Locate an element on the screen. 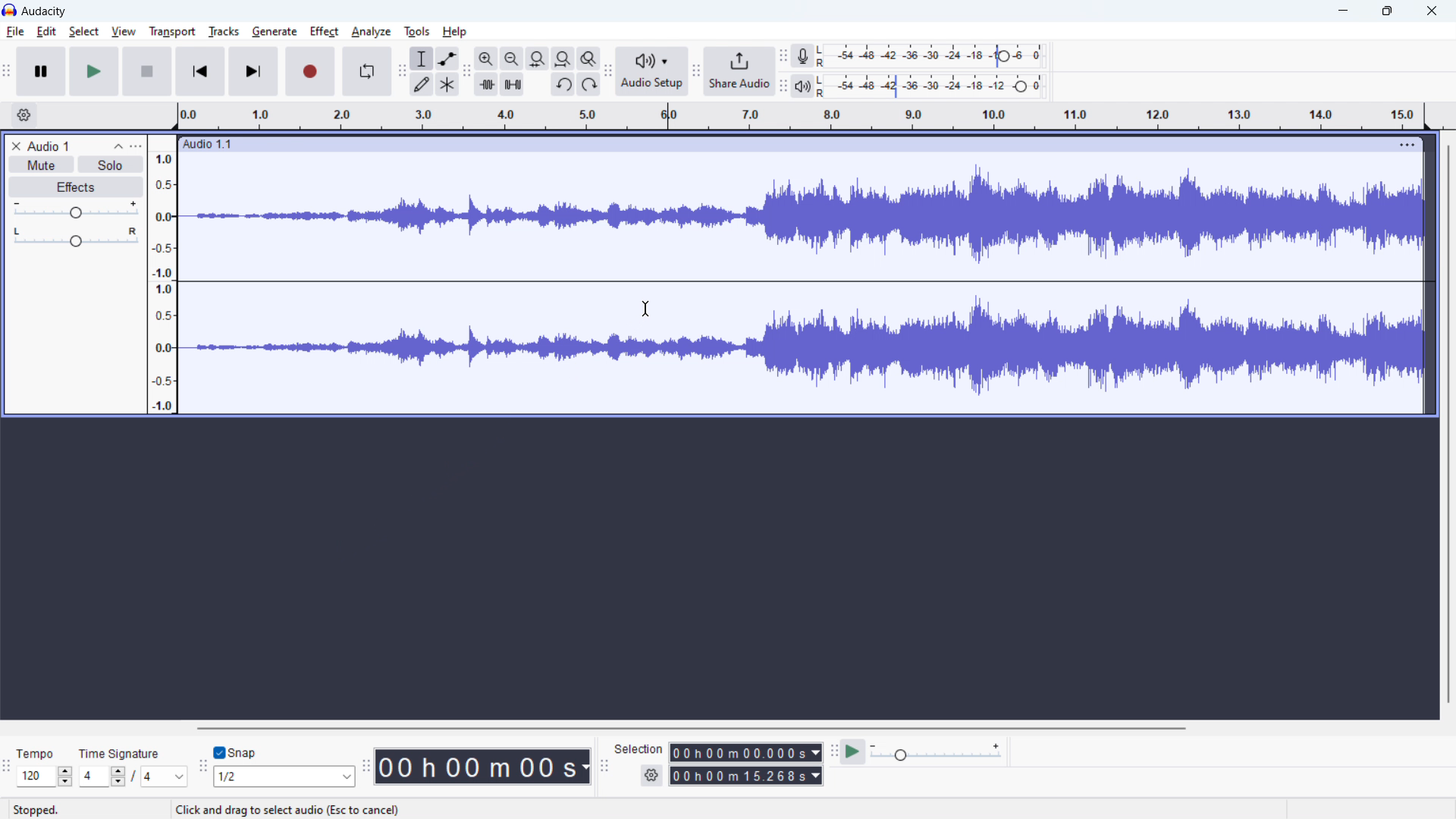  mute is located at coordinates (42, 165).